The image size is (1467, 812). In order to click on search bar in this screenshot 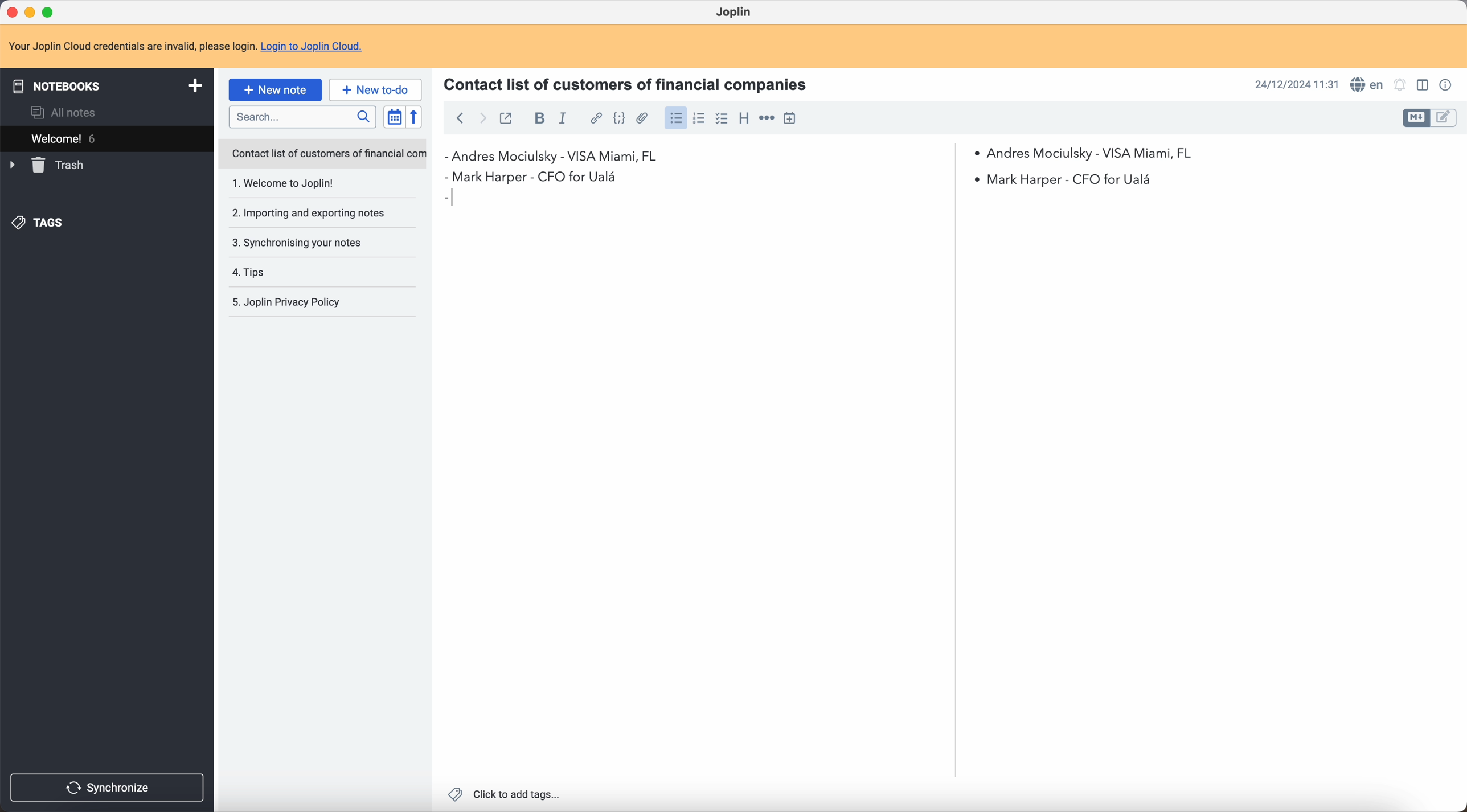, I will do `click(305, 117)`.